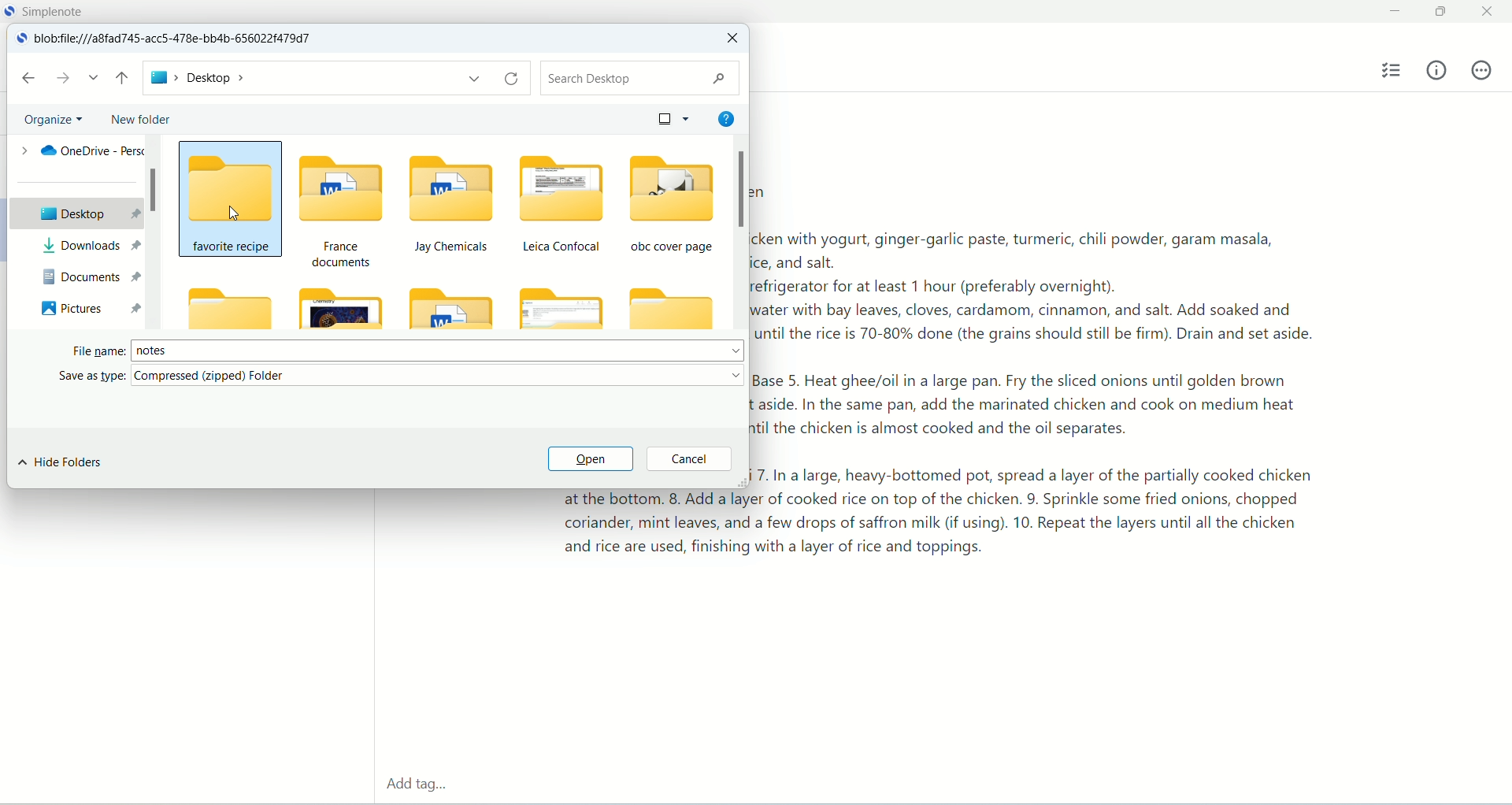  What do you see at coordinates (1443, 13) in the screenshot?
I see `maximize` at bounding box center [1443, 13].